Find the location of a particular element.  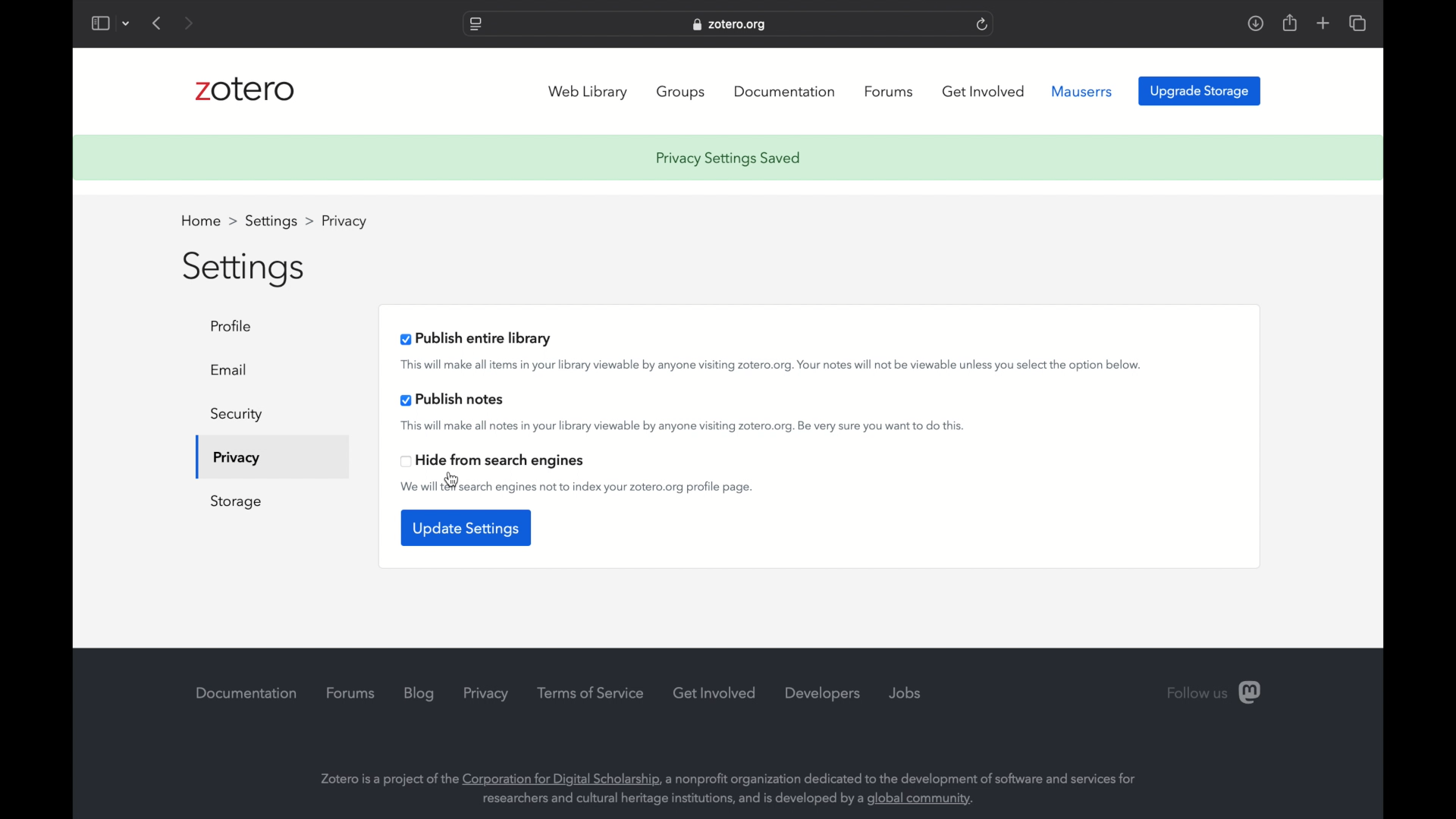

this will make all items in your library viewable is located at coordinates (770, 366).